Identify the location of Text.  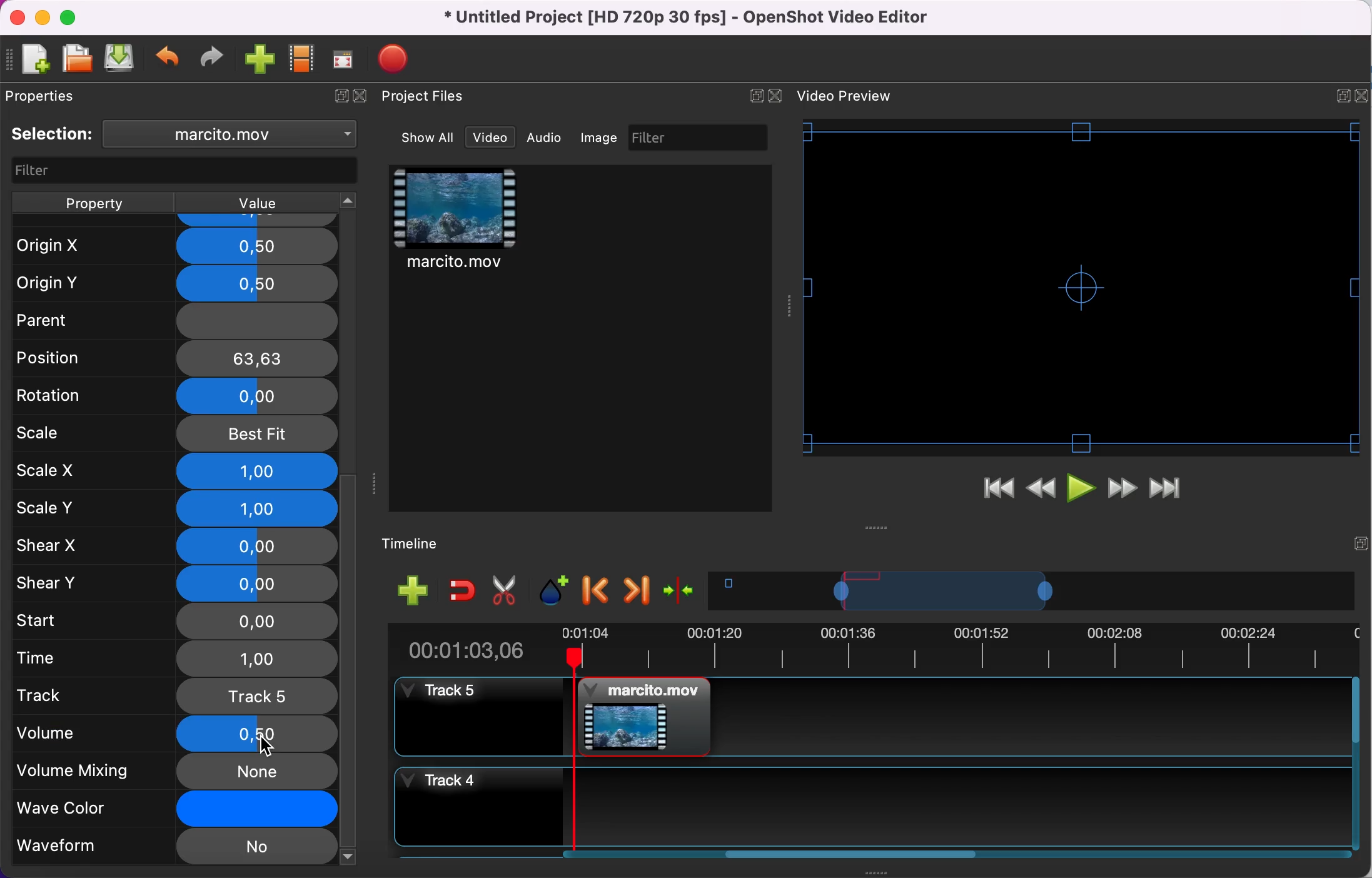
(844, 96).